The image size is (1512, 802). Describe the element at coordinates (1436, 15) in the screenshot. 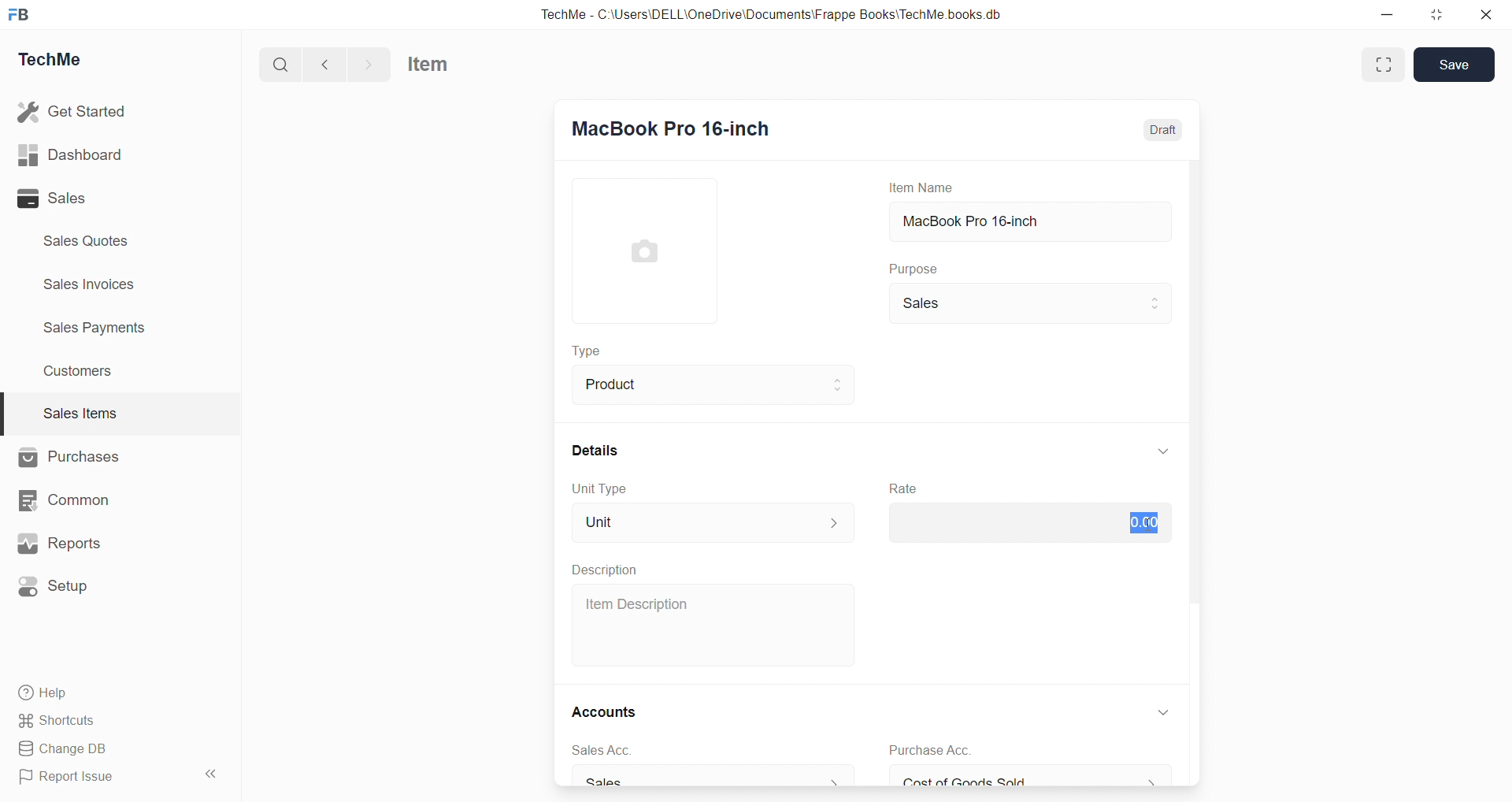

I see `resize` at that location.